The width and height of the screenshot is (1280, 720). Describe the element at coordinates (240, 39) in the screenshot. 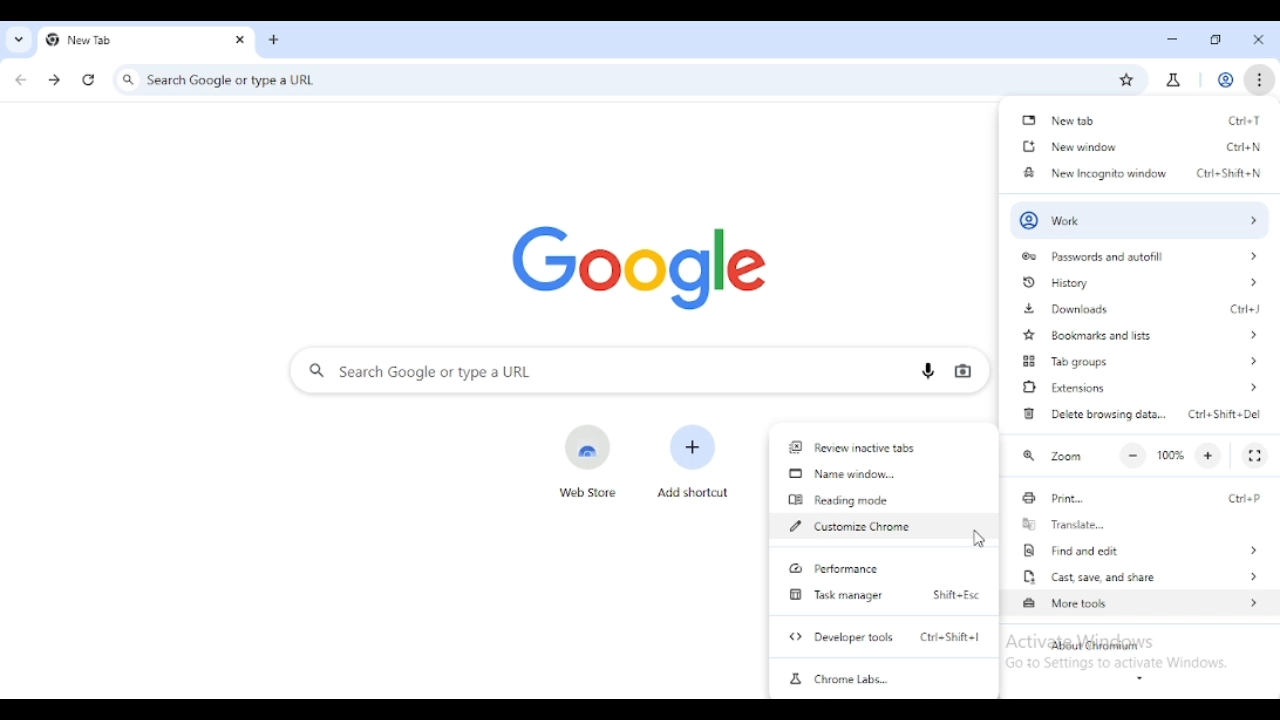

I see `close tab` at that location.